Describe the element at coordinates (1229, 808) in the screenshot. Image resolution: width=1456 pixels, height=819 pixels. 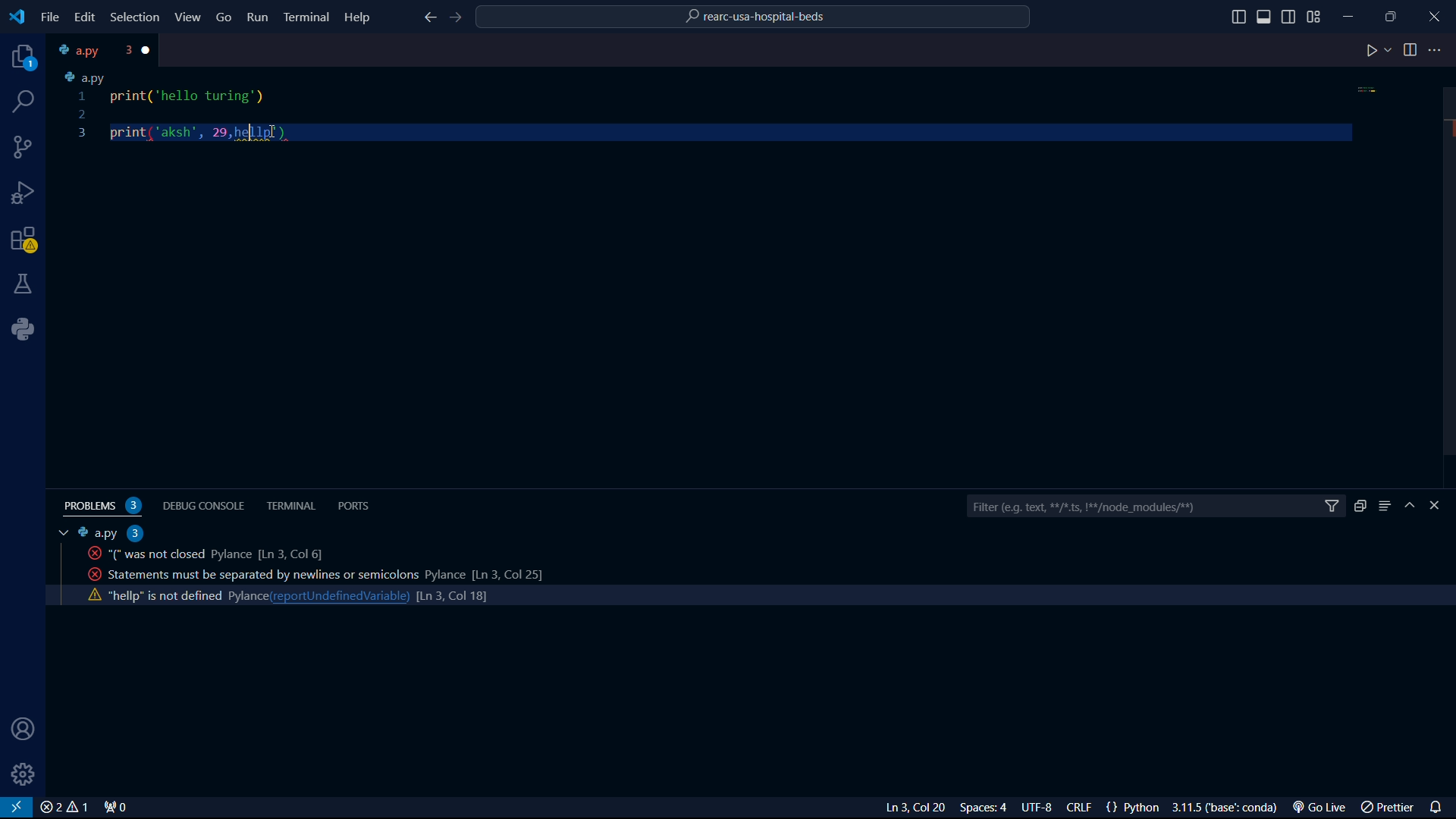
I see `3.1.5` at that location.